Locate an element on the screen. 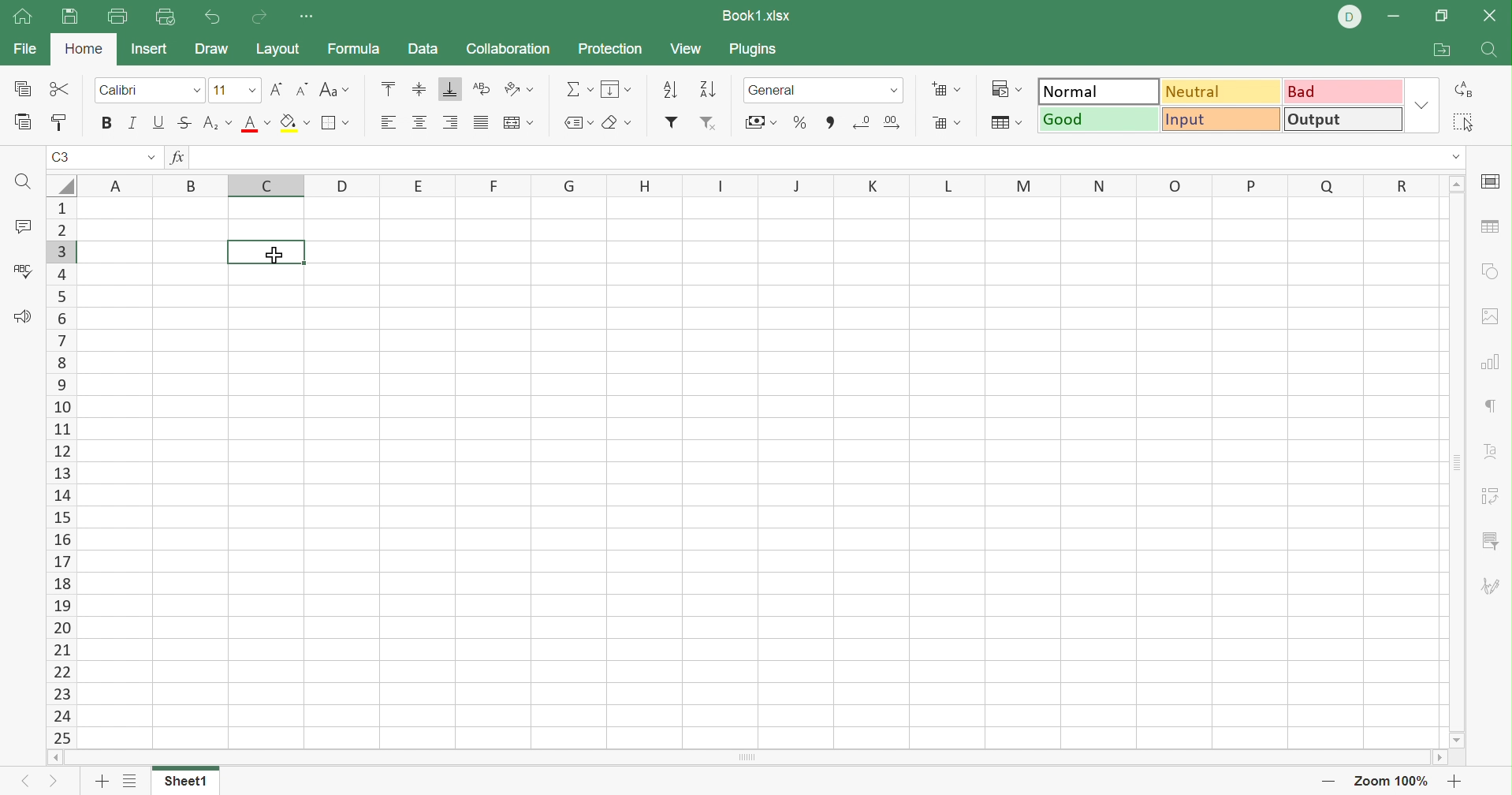 Image resolution: width=1512 pixels, height=795 pixels. Print is located at coordinates (69, 17).